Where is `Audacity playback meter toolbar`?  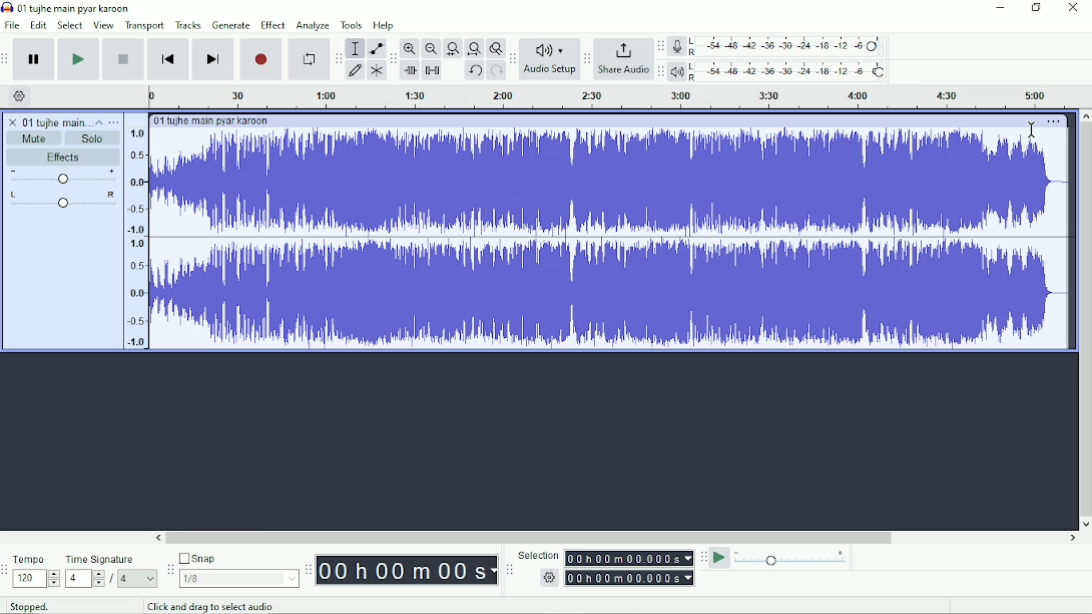
Audacity playback meter toolbar is located at coordinates (662, 71).